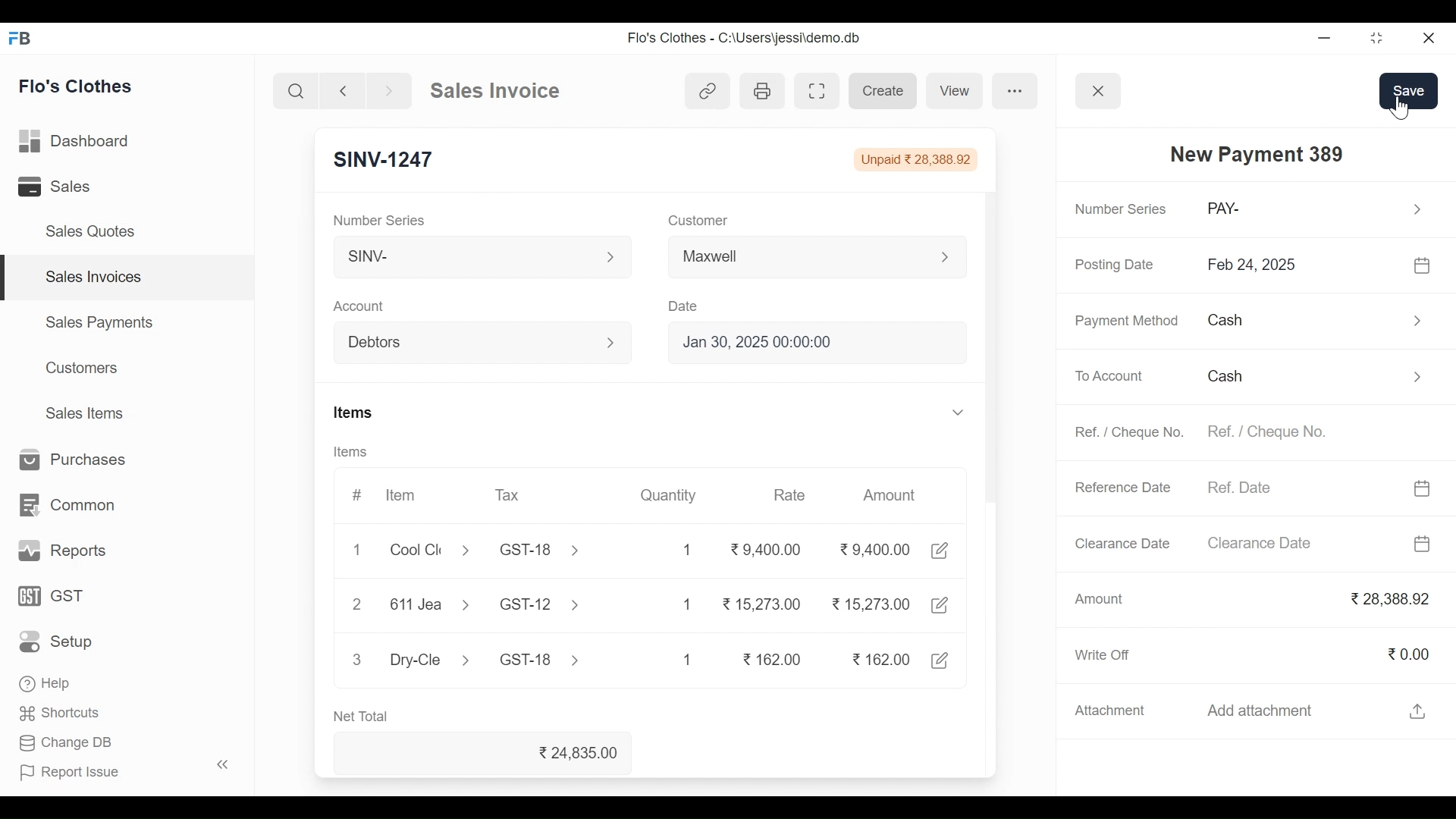  I want to click on SINV-, so click(453, 255).